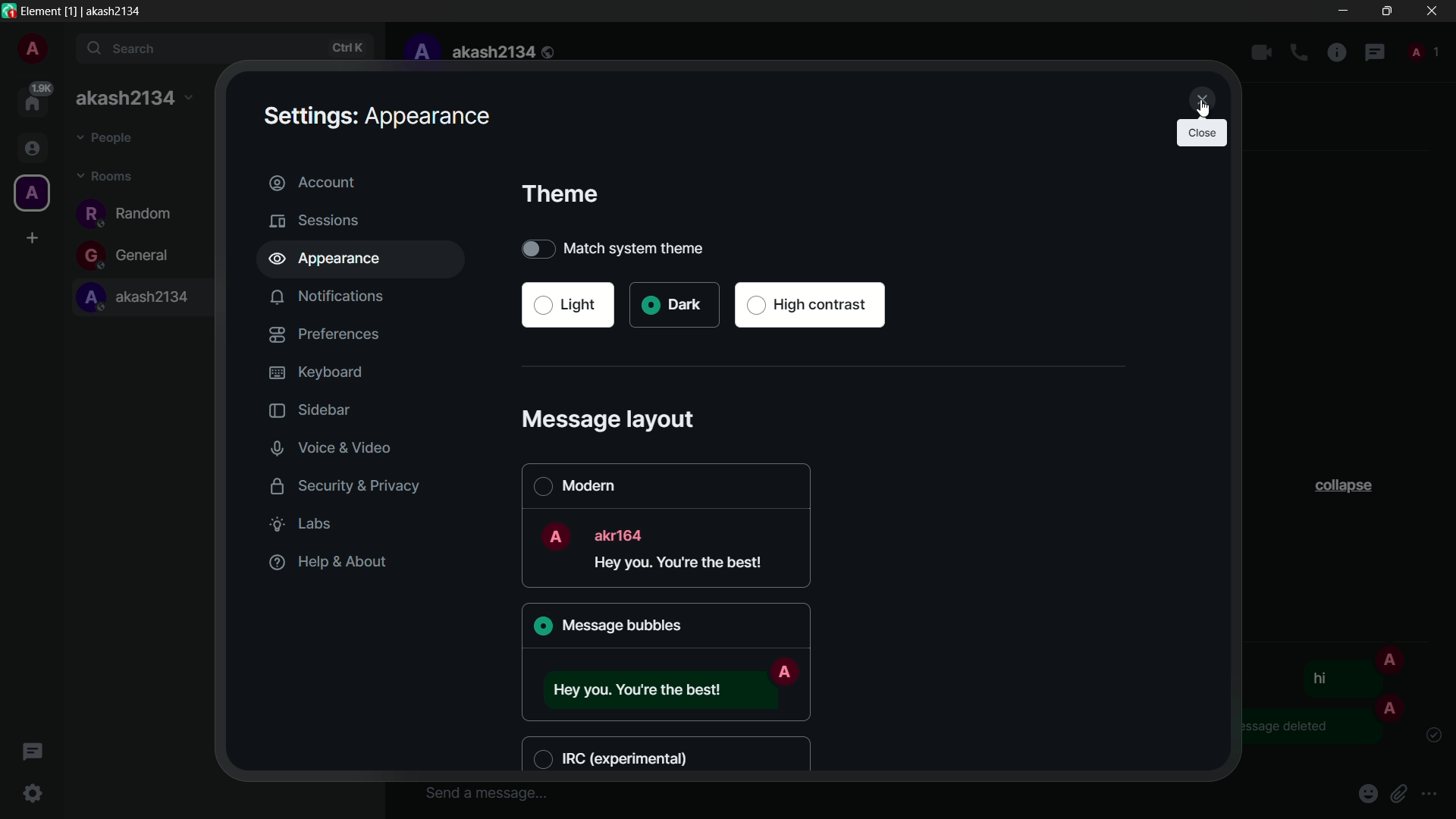 The height and width of the screenshot is (819, 1456). Describe the element at coordinates (1312, 726) in the screenshot. I see `deleted` at that location.